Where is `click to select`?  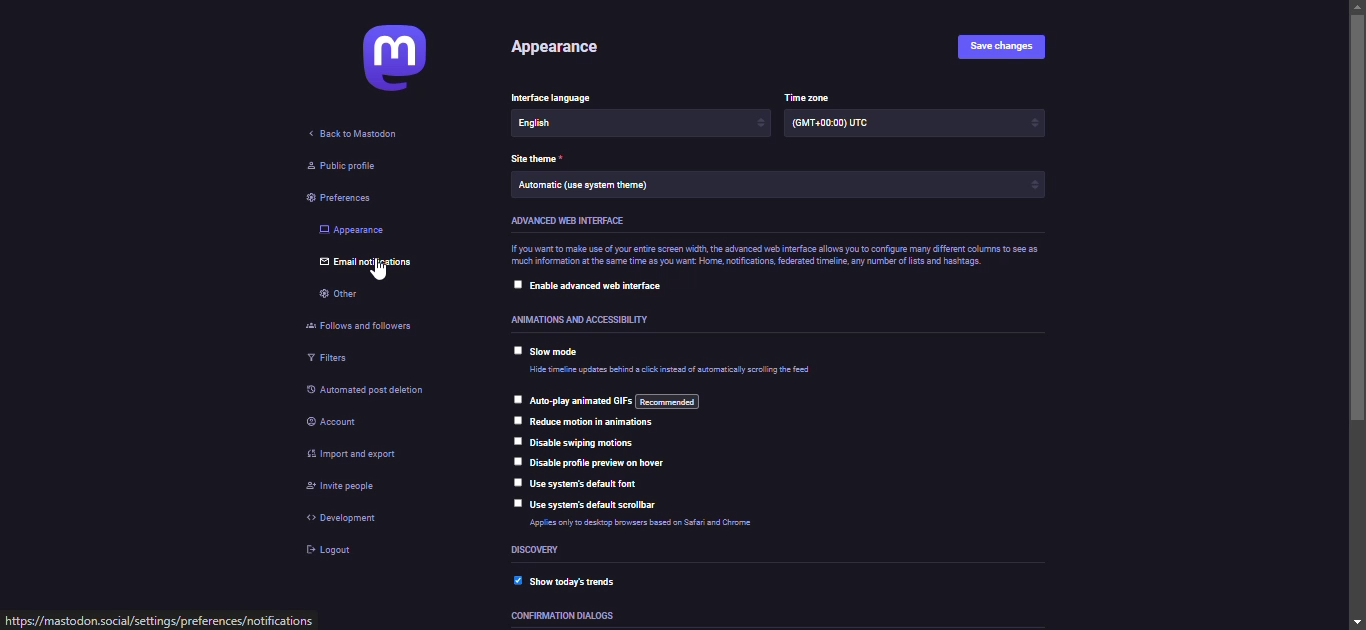
click to select is located at coordinates (516, 482).